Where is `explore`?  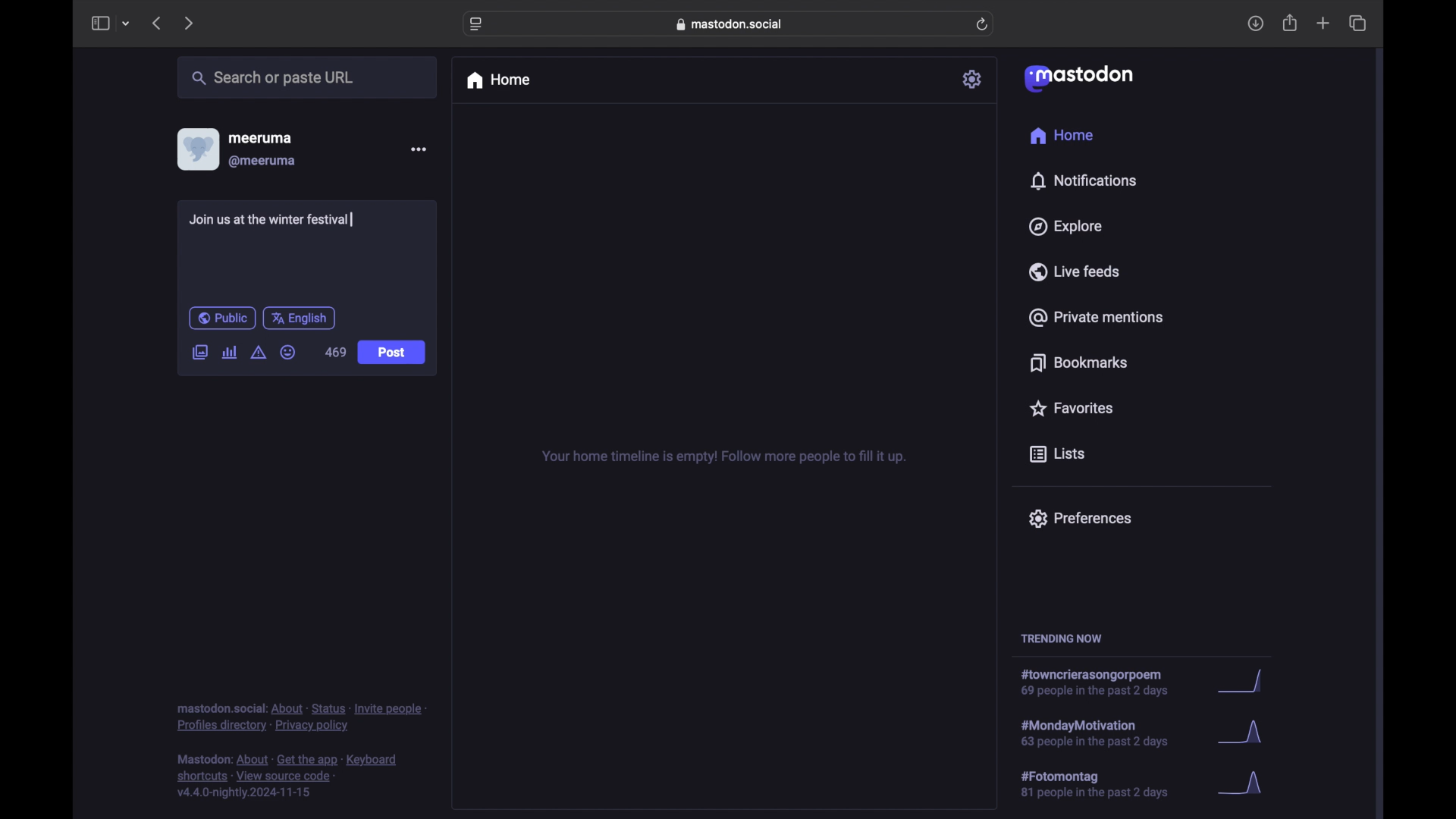
explore is located at coordinates (1064, 227).